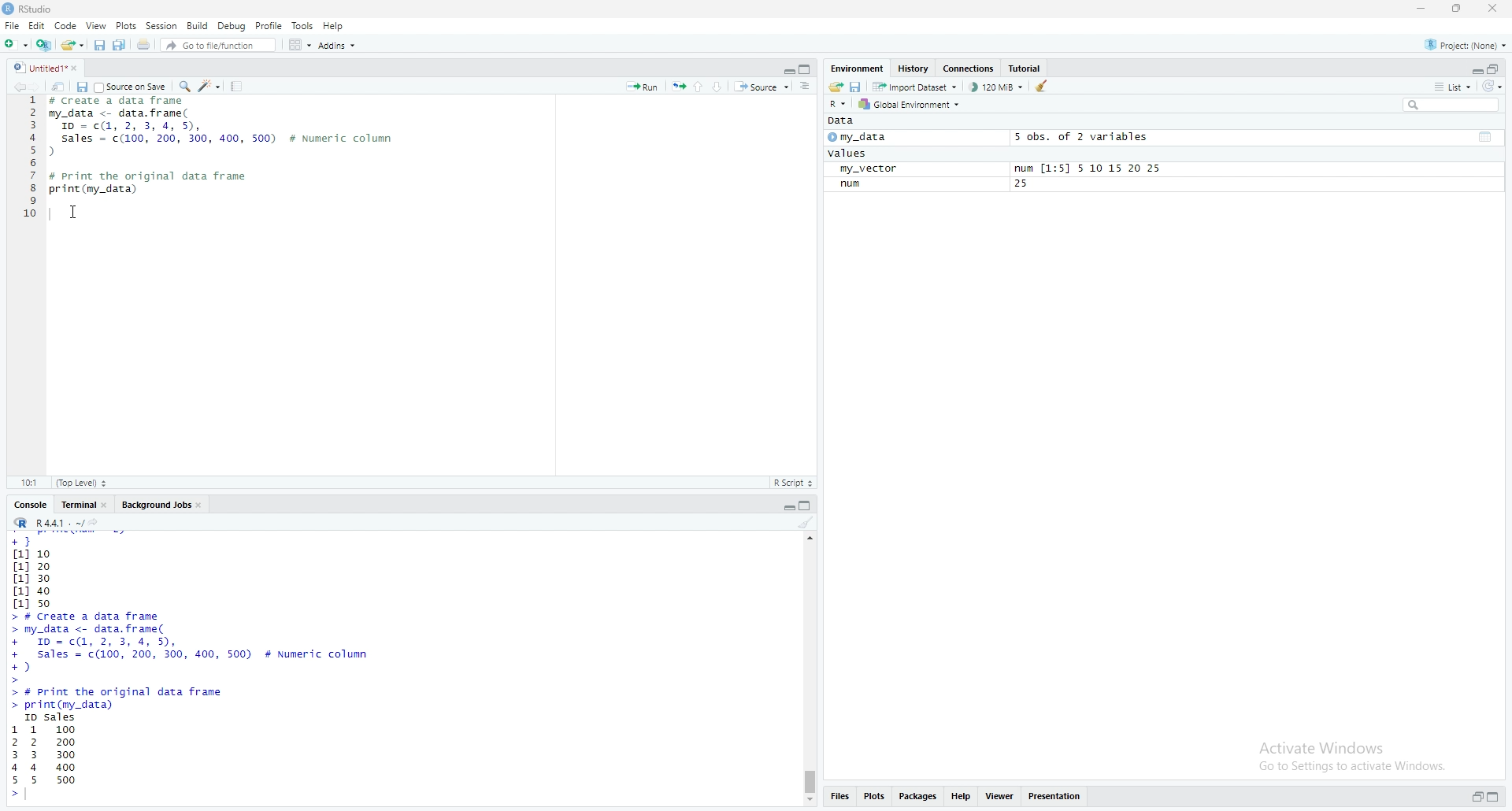  I want to click on save workspace as, so click(855, 87).